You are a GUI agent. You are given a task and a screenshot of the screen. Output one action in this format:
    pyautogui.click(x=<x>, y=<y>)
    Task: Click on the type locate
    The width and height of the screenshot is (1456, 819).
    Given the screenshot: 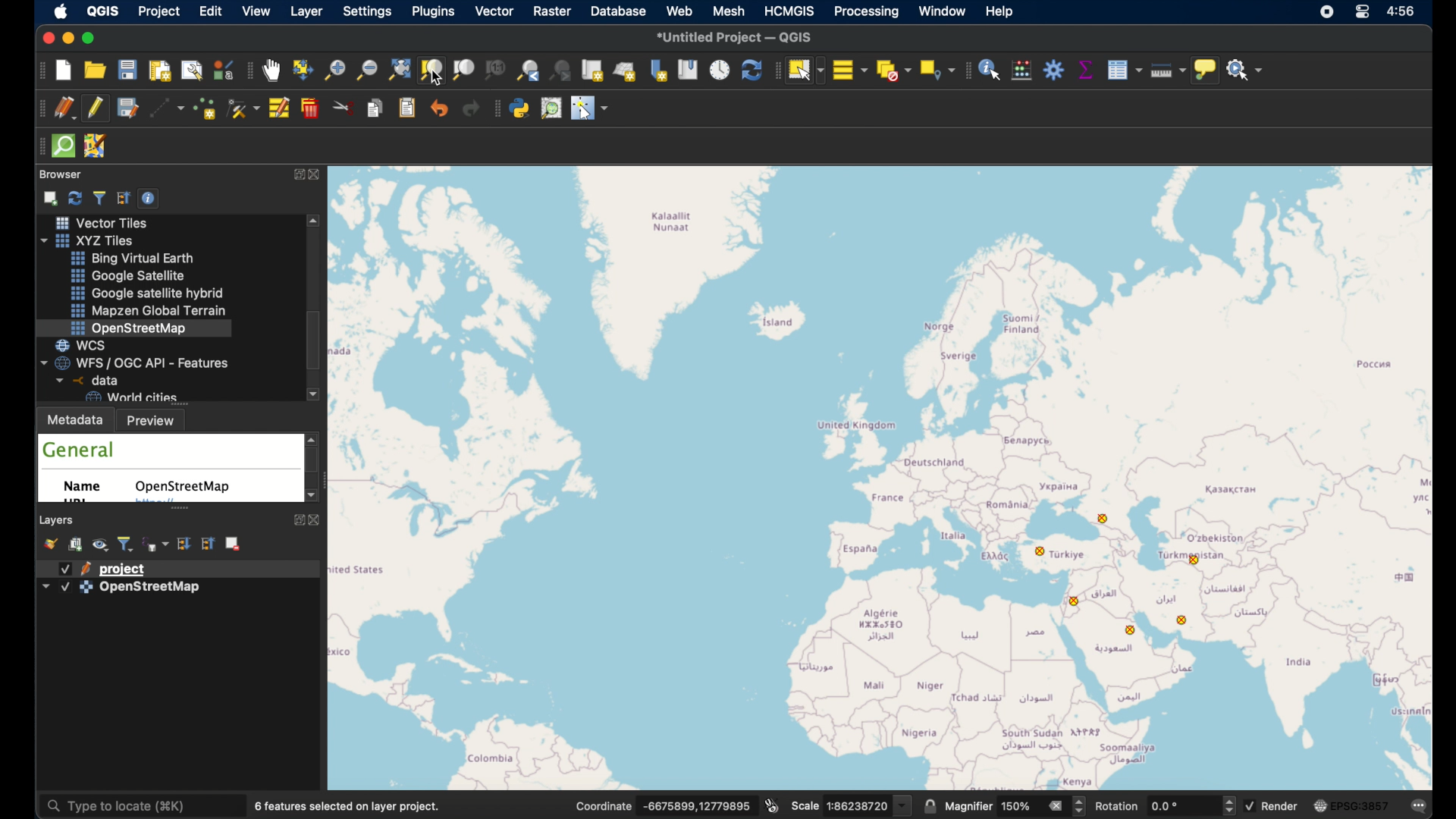 What is the action you would take?
    pyautogui.click(x=115, y=808)
    